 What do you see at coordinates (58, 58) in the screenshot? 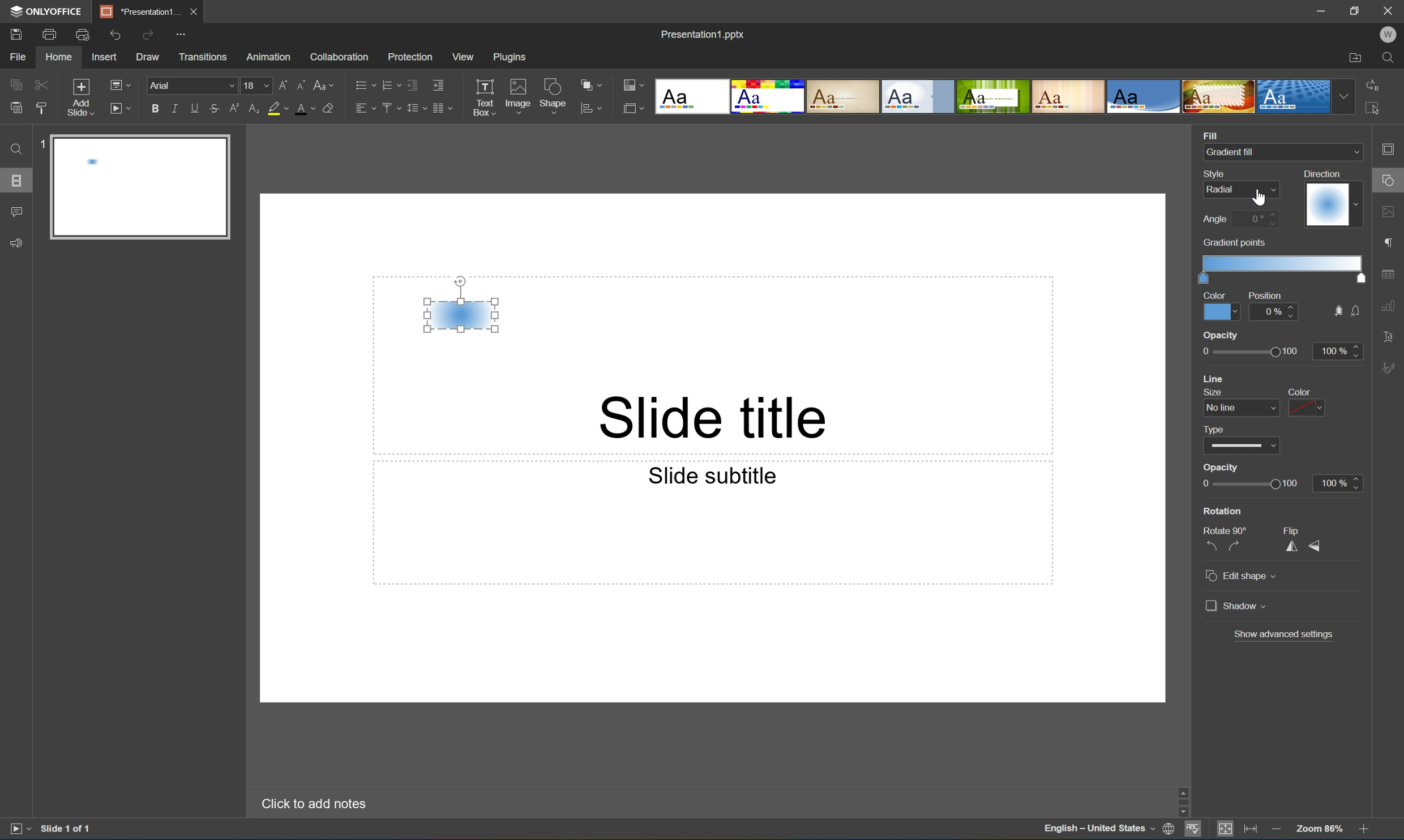
I see `Home` at bounding box center [58, 58].